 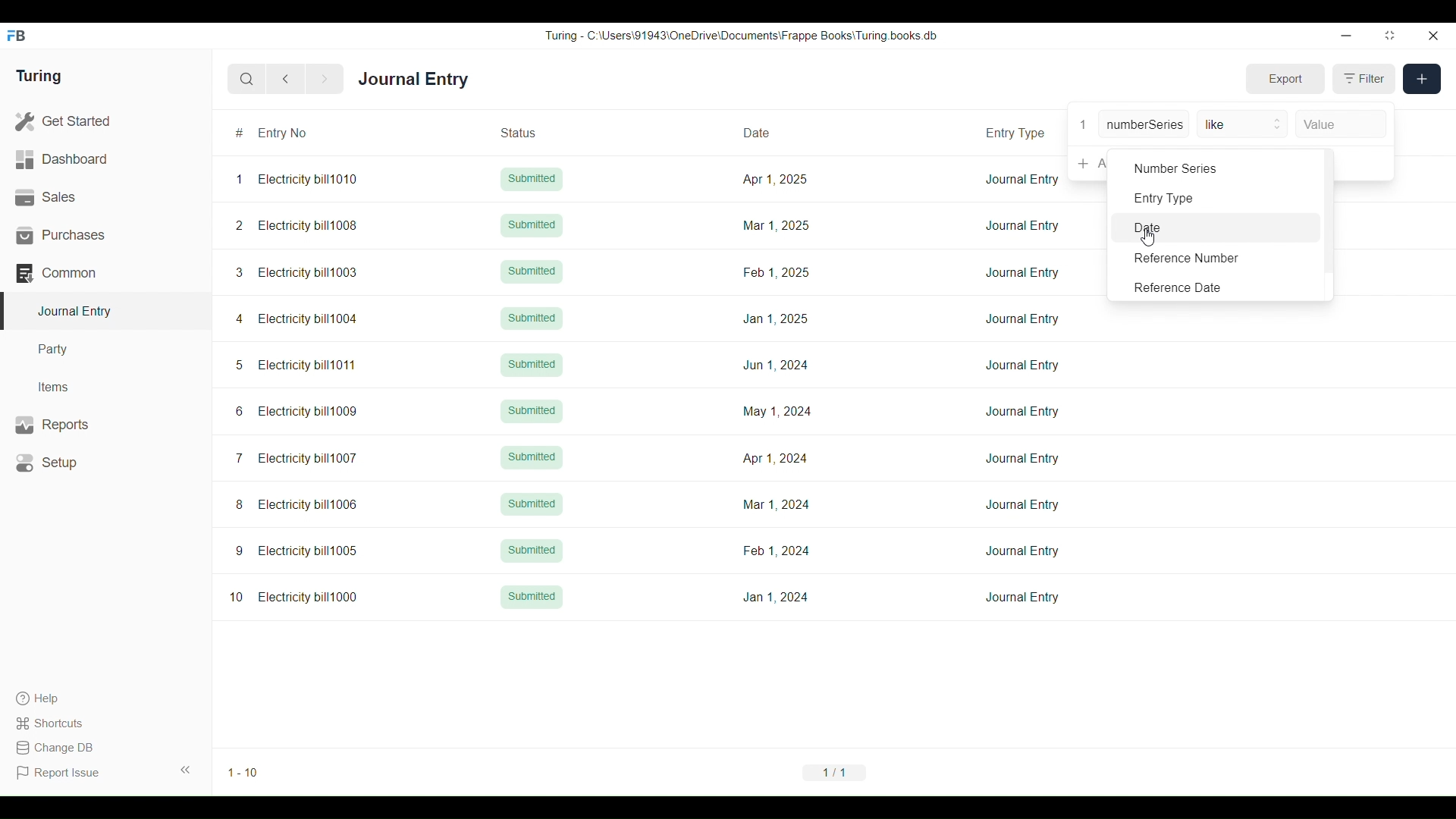 What do you see at coordinates (58, 723) in the screenshot?
I see `Shortcuts` at bounding box center [58, 723].